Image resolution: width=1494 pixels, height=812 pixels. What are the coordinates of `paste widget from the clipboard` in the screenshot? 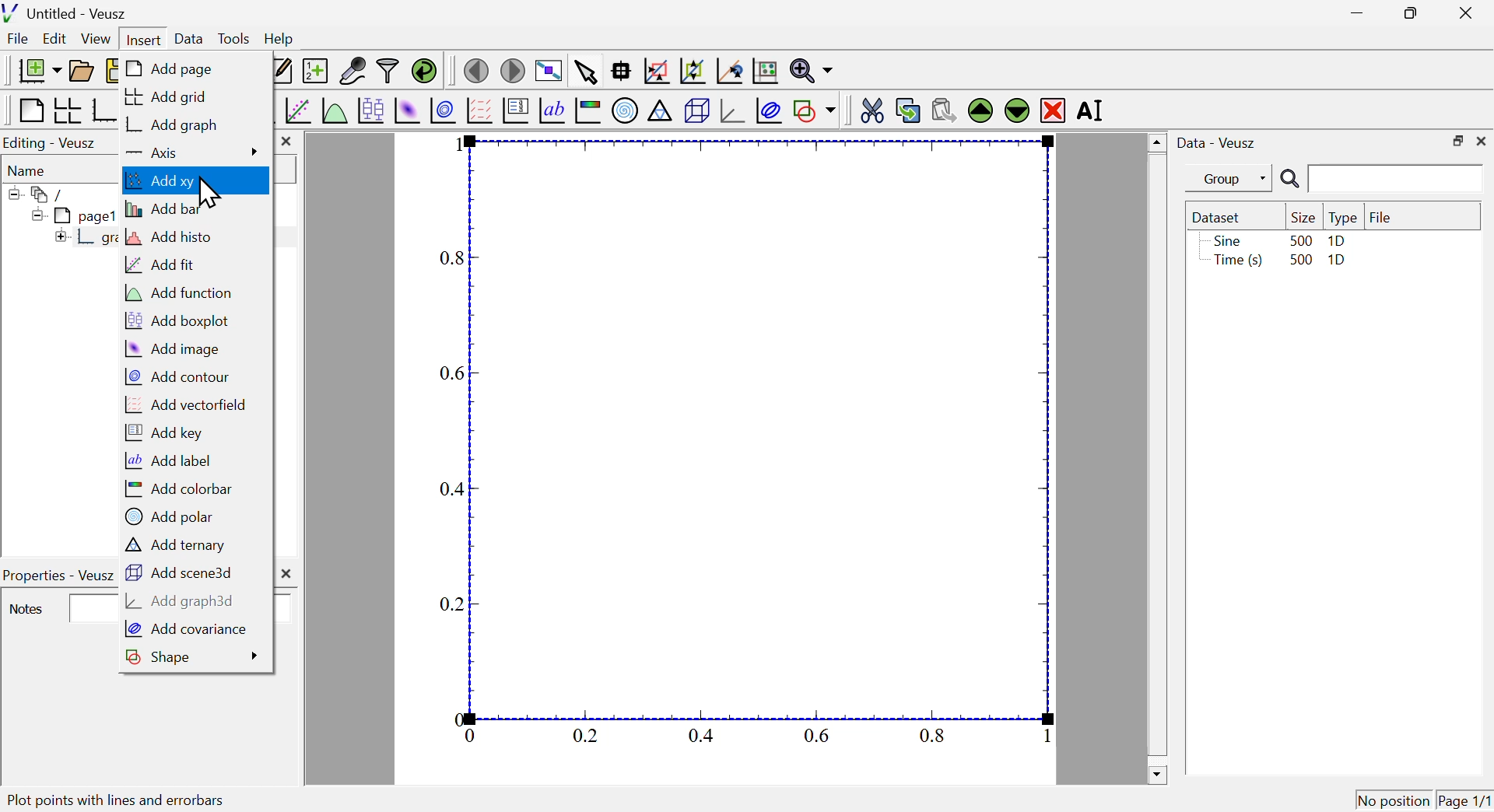 It's located at (945, 108).